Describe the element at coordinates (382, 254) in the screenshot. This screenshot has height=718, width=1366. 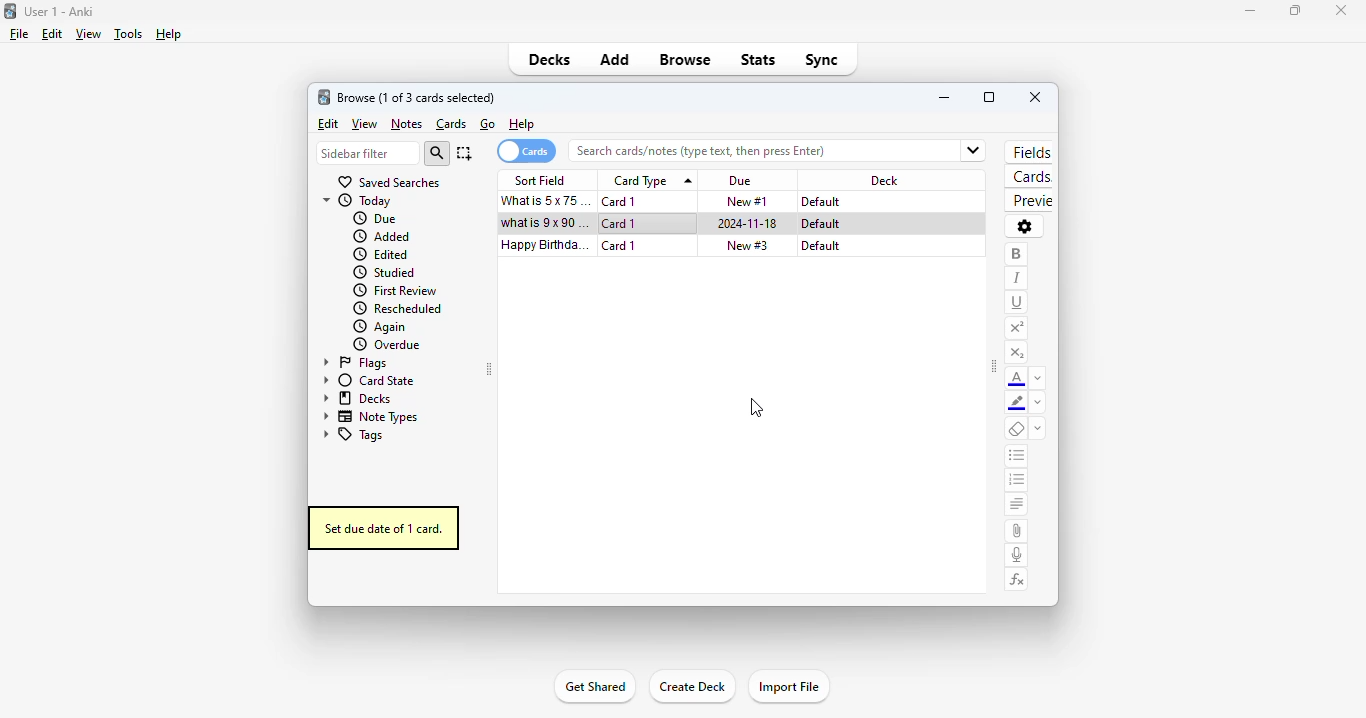
I see `edited` at that location.